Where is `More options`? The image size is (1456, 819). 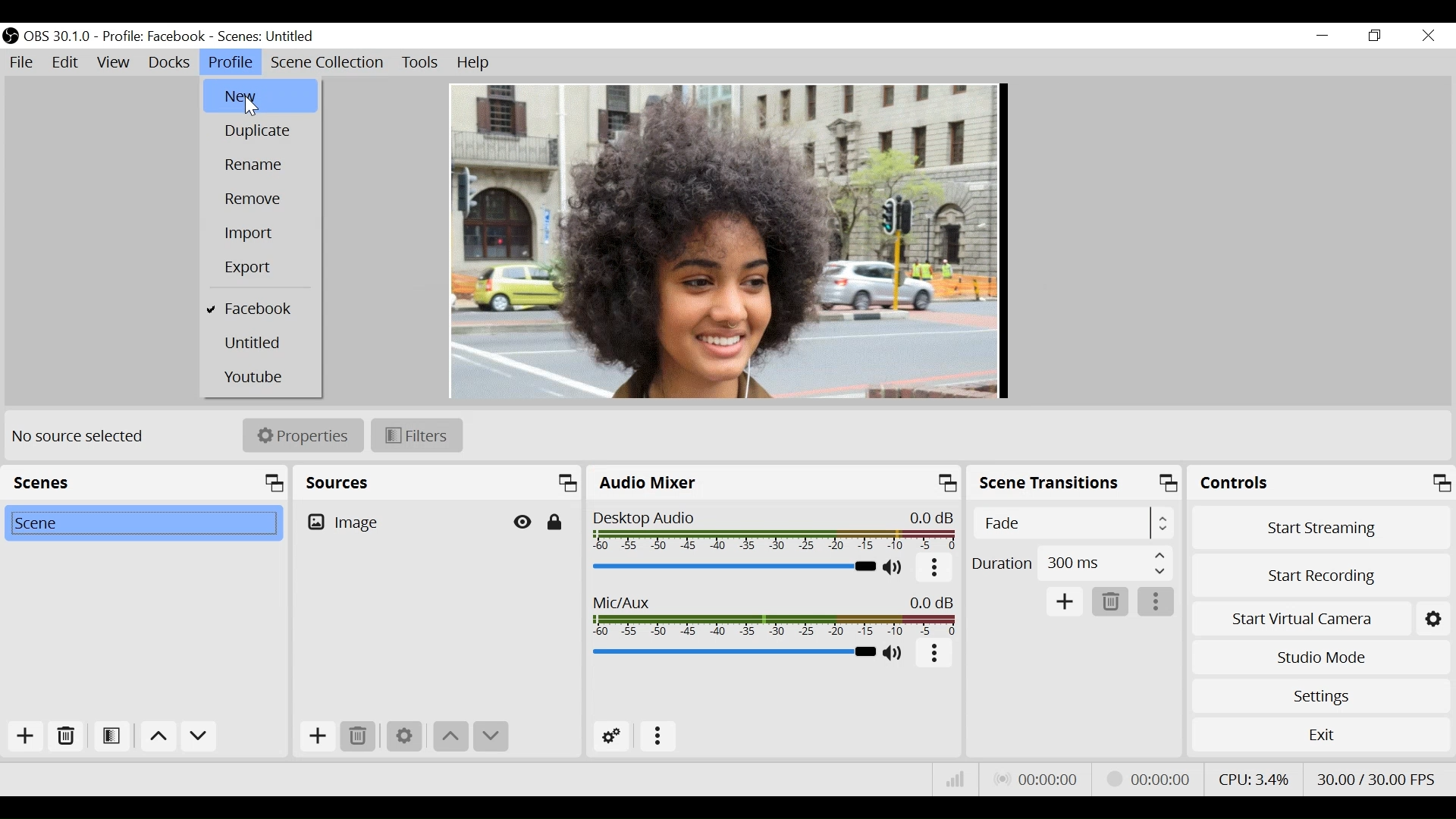 More options is located at coordinates (1156, 602).